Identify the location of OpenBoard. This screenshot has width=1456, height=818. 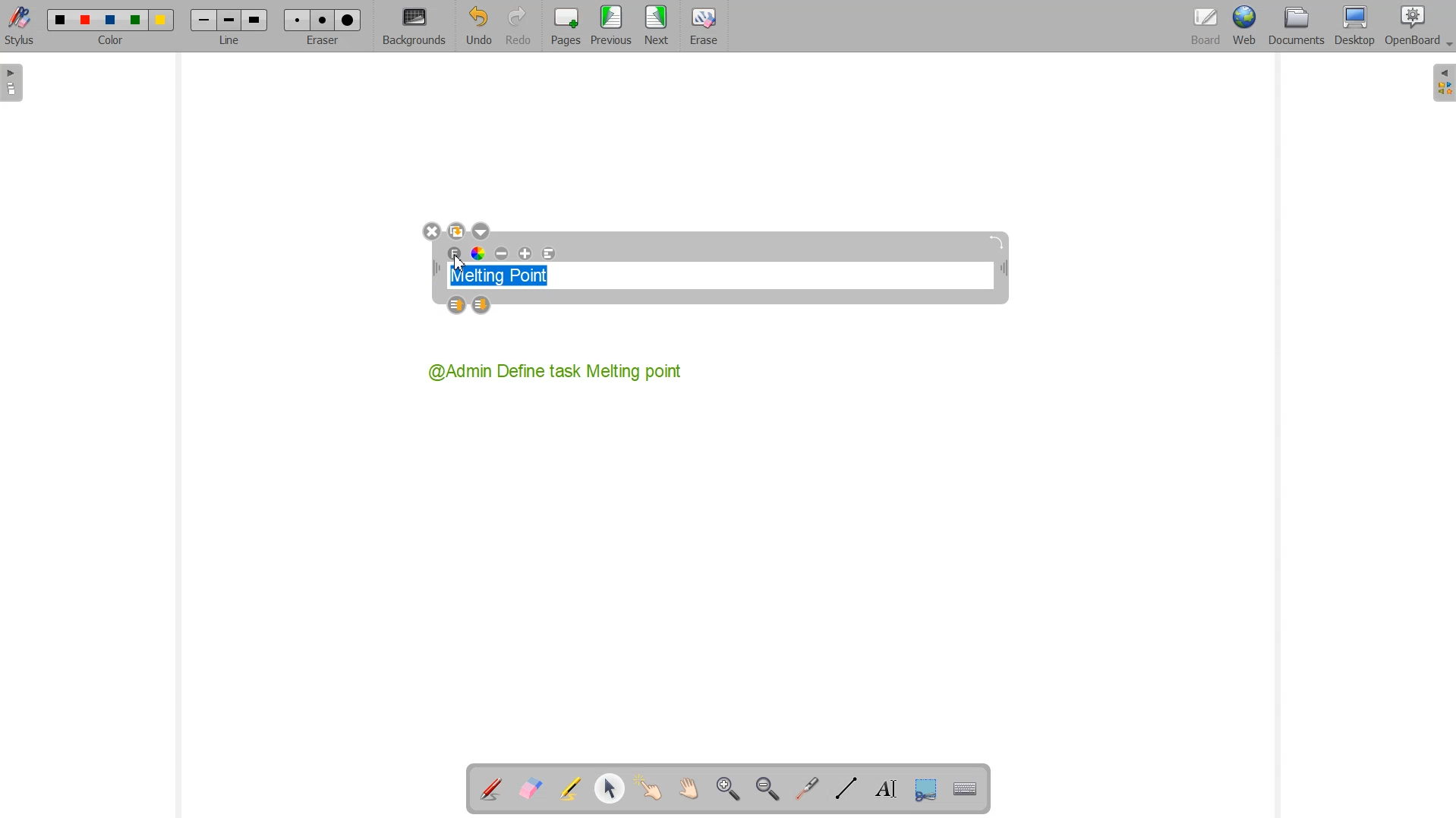
(1411, 27).